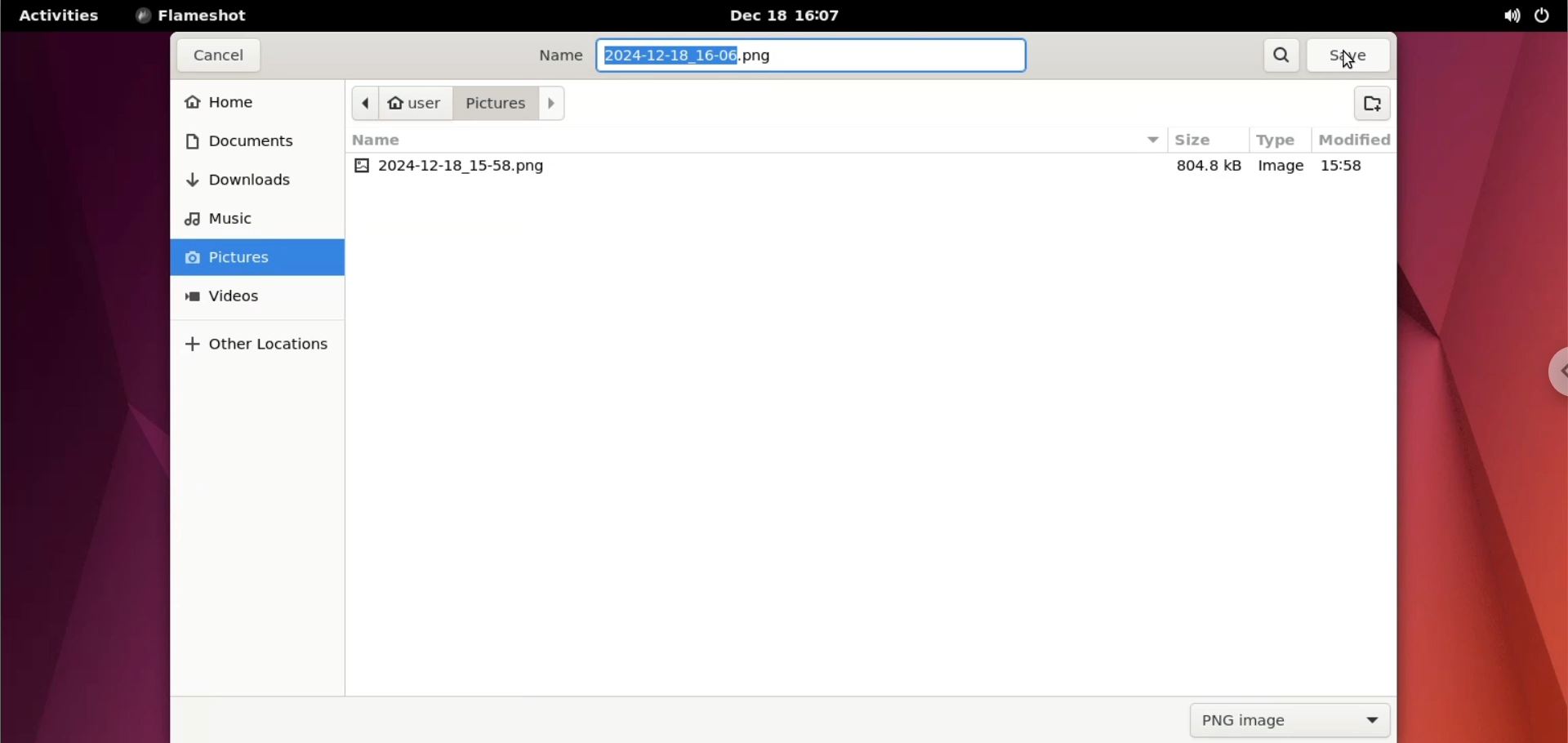 Image resolution: width=1568 pixels, height=743 pixels. I want to click on name label, so click(562, 56).